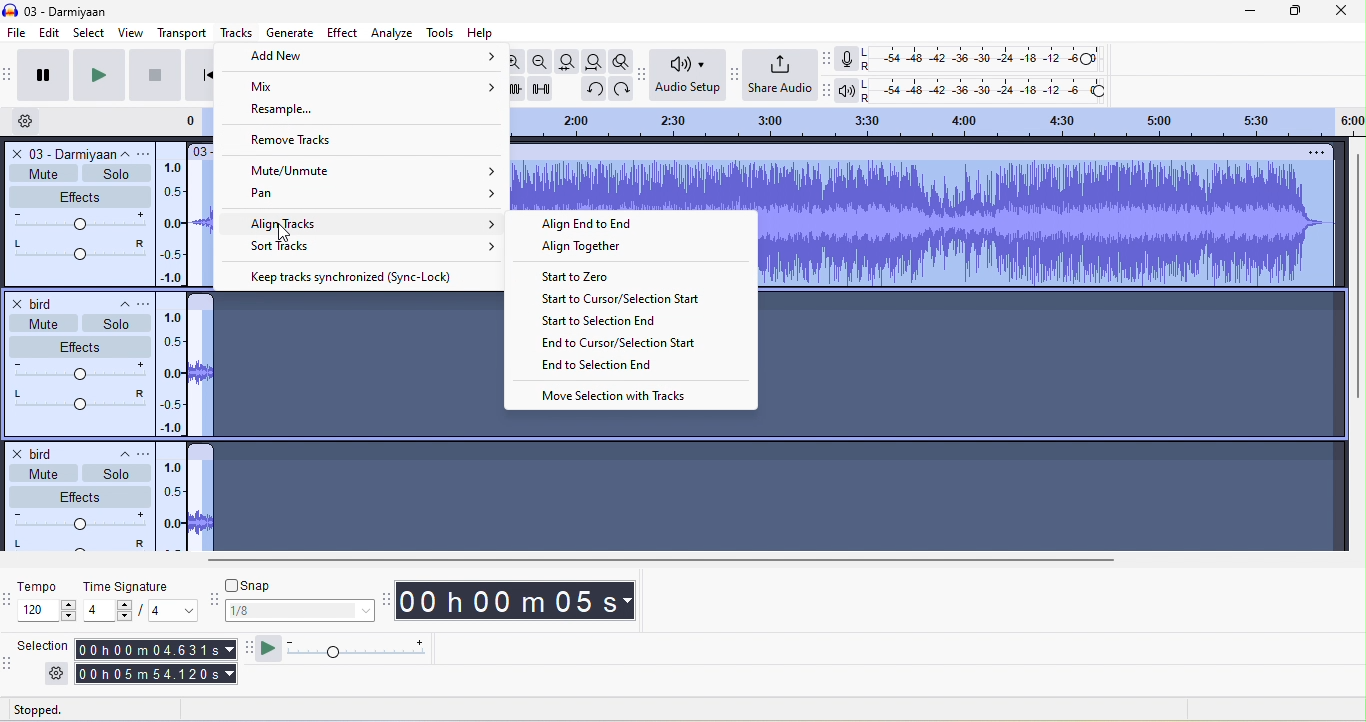 Image resolution: width=1366 pixels, height=722 pixels. What do you see at coordinates (984, 59) in the screenshot?
I see `recording level` at bounding box center [984, 59].